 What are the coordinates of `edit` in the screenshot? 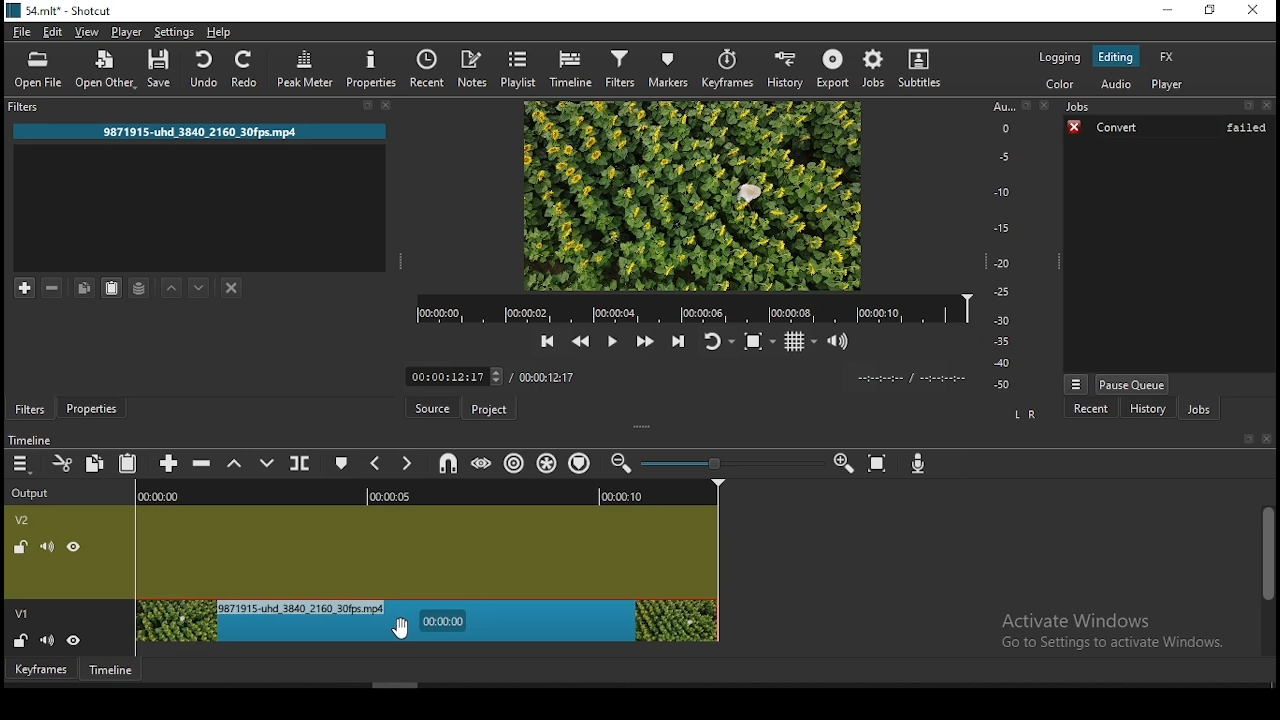 It's located at (55, 34).